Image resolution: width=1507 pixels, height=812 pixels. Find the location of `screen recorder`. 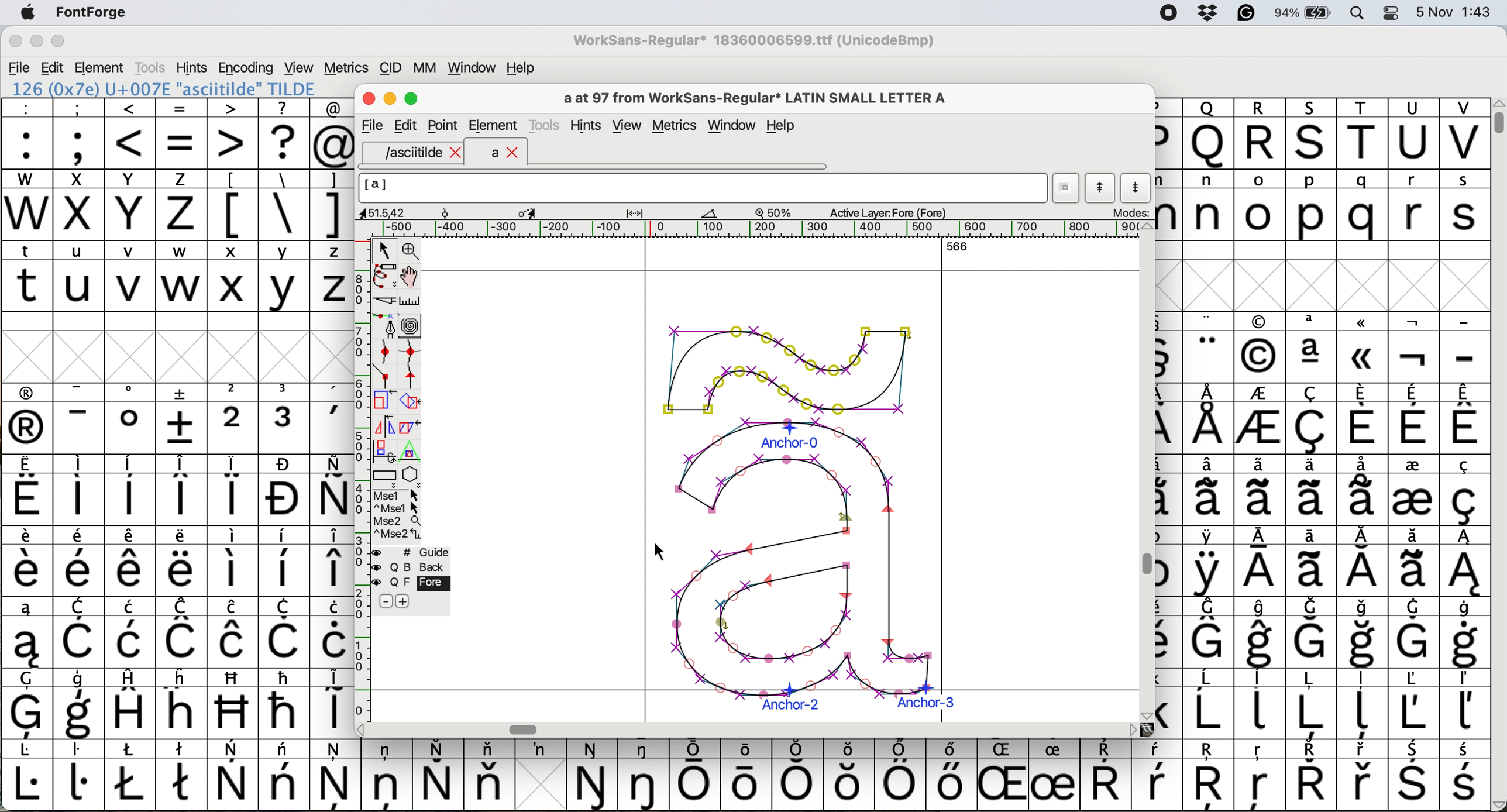

screen recorder is located at coordinates (1167, 14).